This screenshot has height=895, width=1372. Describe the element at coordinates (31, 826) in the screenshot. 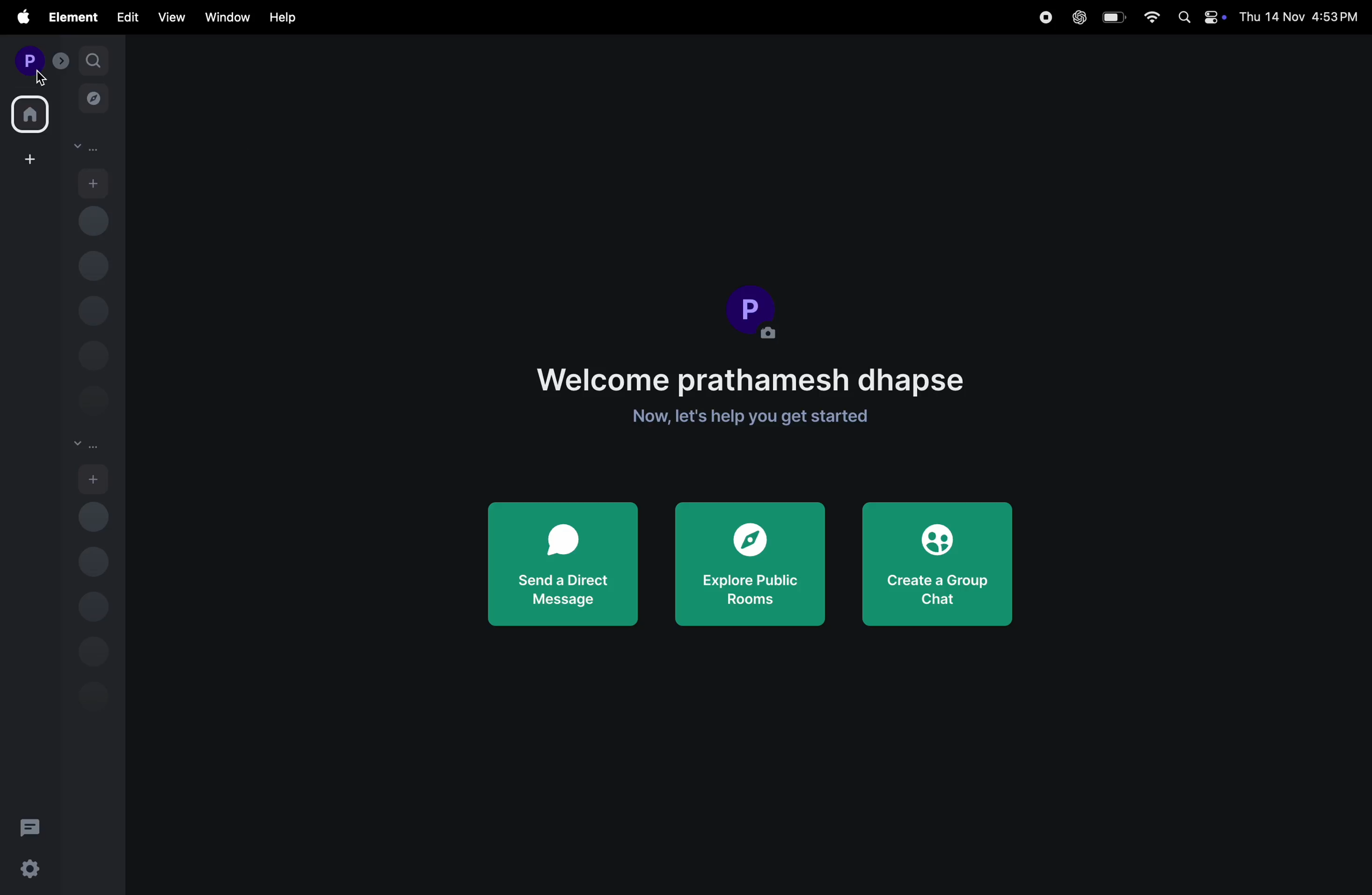

I see `threads` at that location.